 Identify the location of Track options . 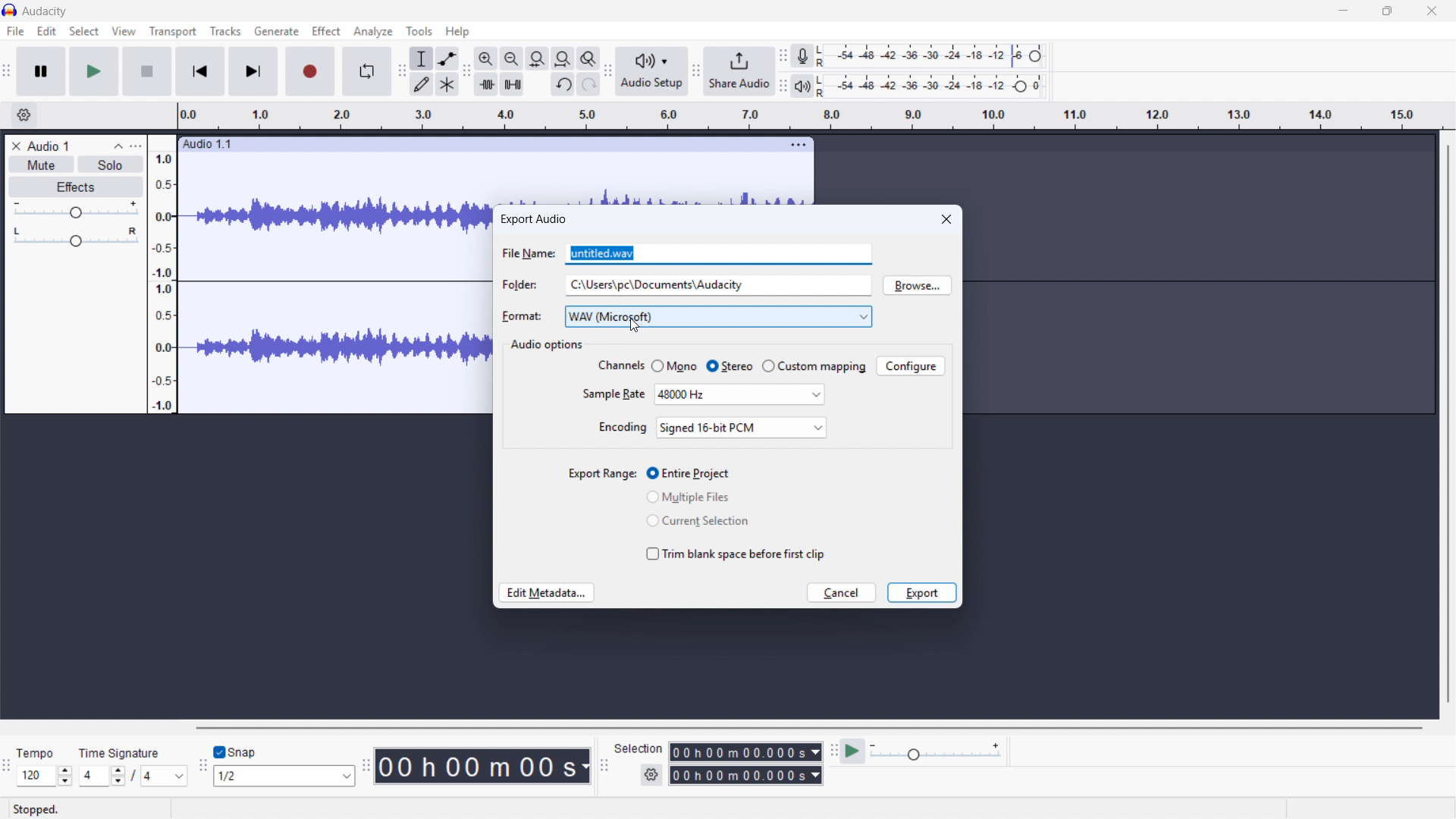
(798, 144).